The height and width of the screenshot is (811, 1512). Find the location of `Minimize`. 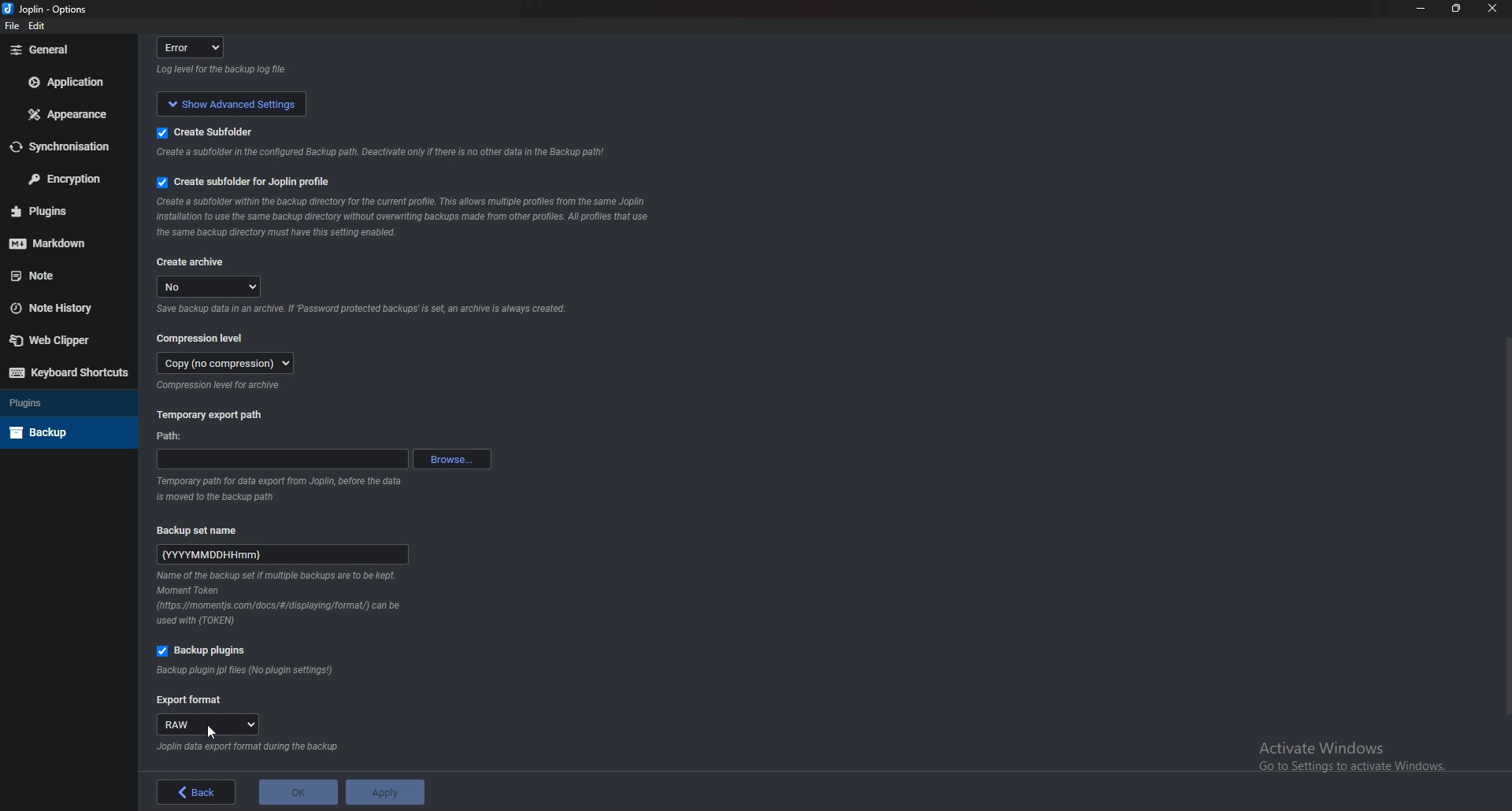

Minimize is located at coordinates (1423, 8).